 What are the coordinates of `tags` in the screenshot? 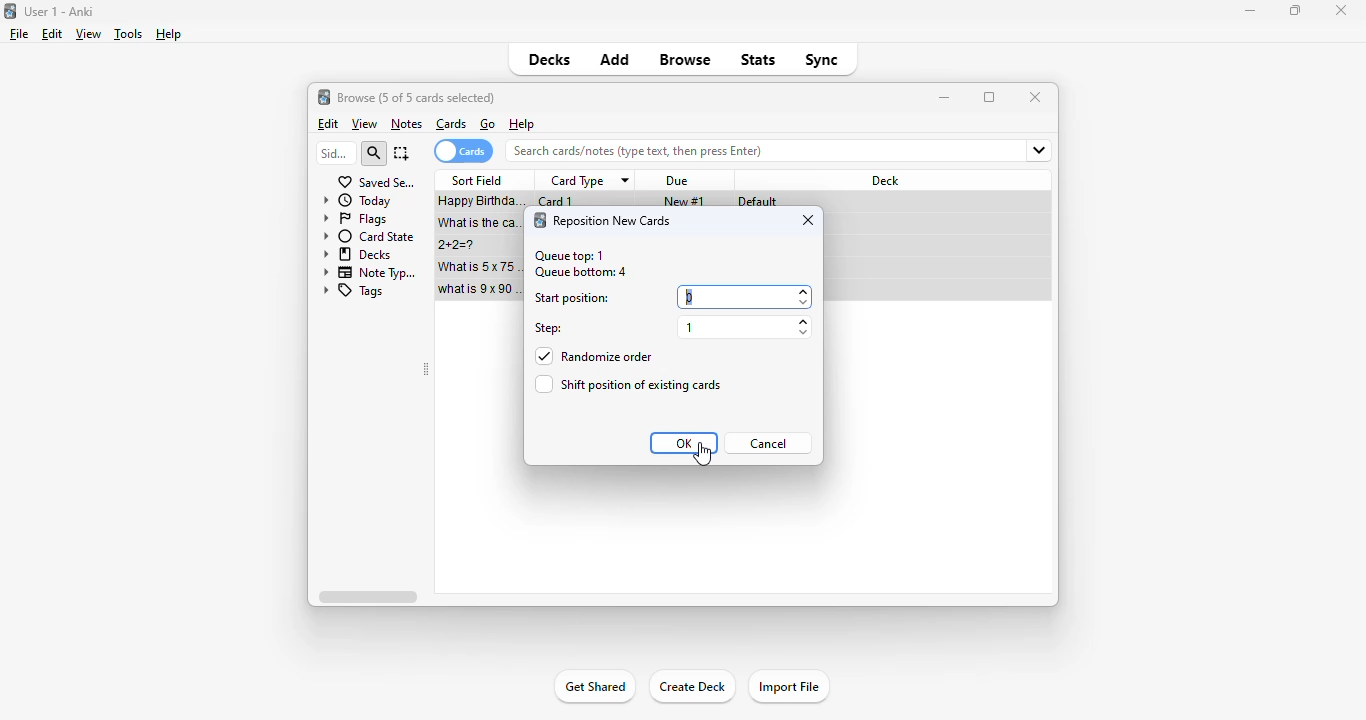 It's located at (354, 291).